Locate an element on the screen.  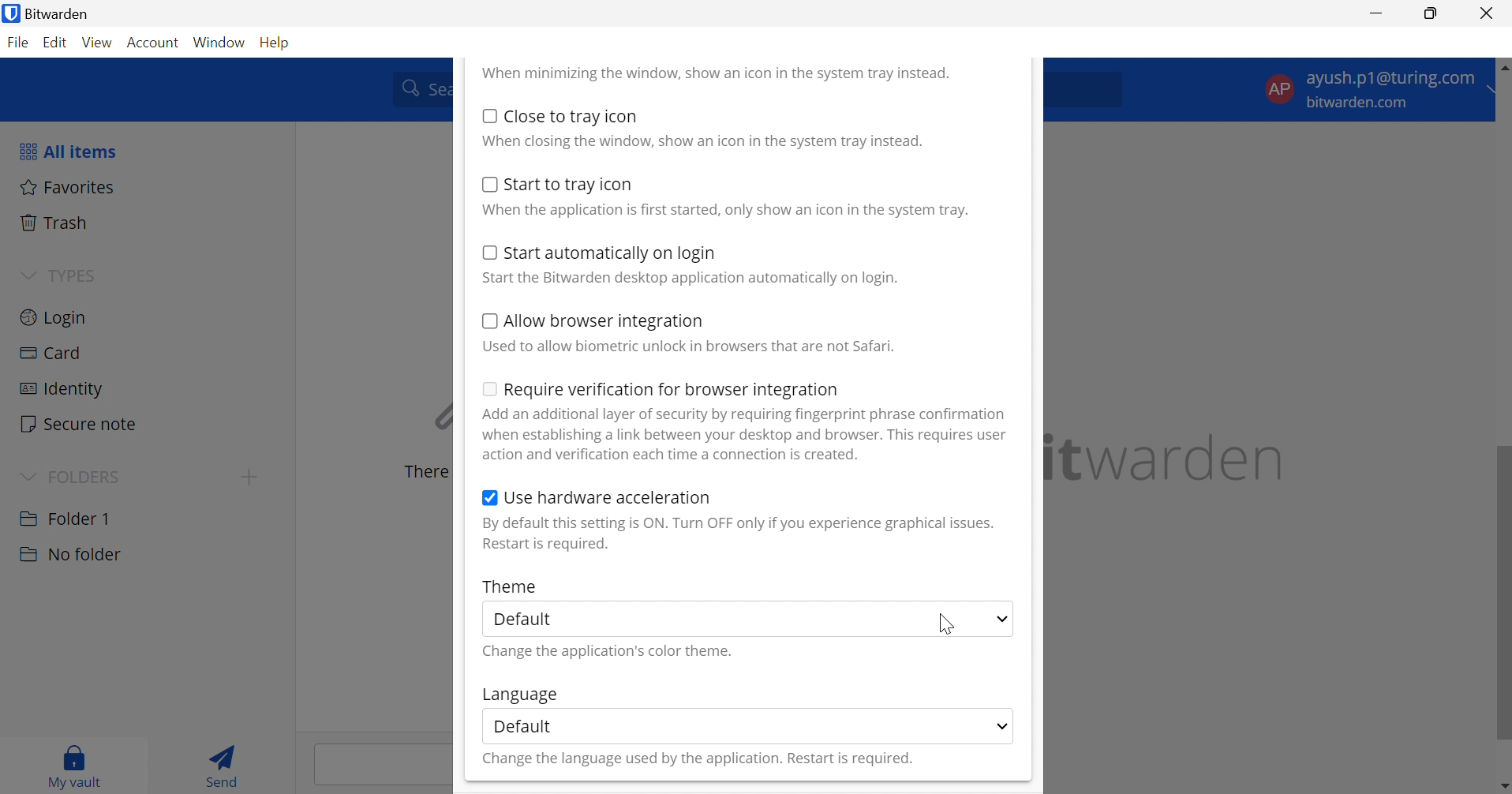
Require verification for browser intgretion is located at coordinates (672, 391).